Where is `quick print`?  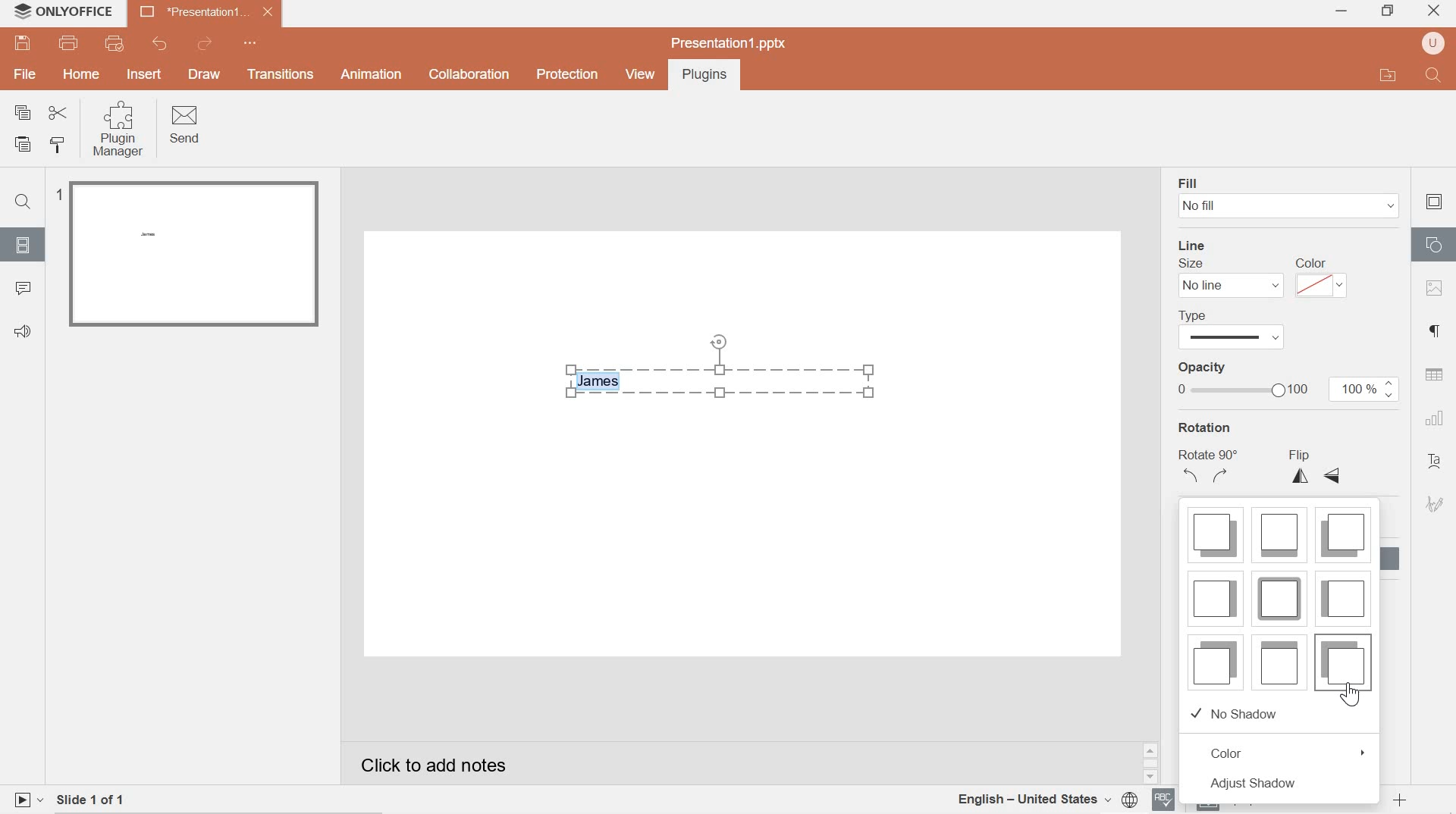 quick print is located at coordinates (120, 44).